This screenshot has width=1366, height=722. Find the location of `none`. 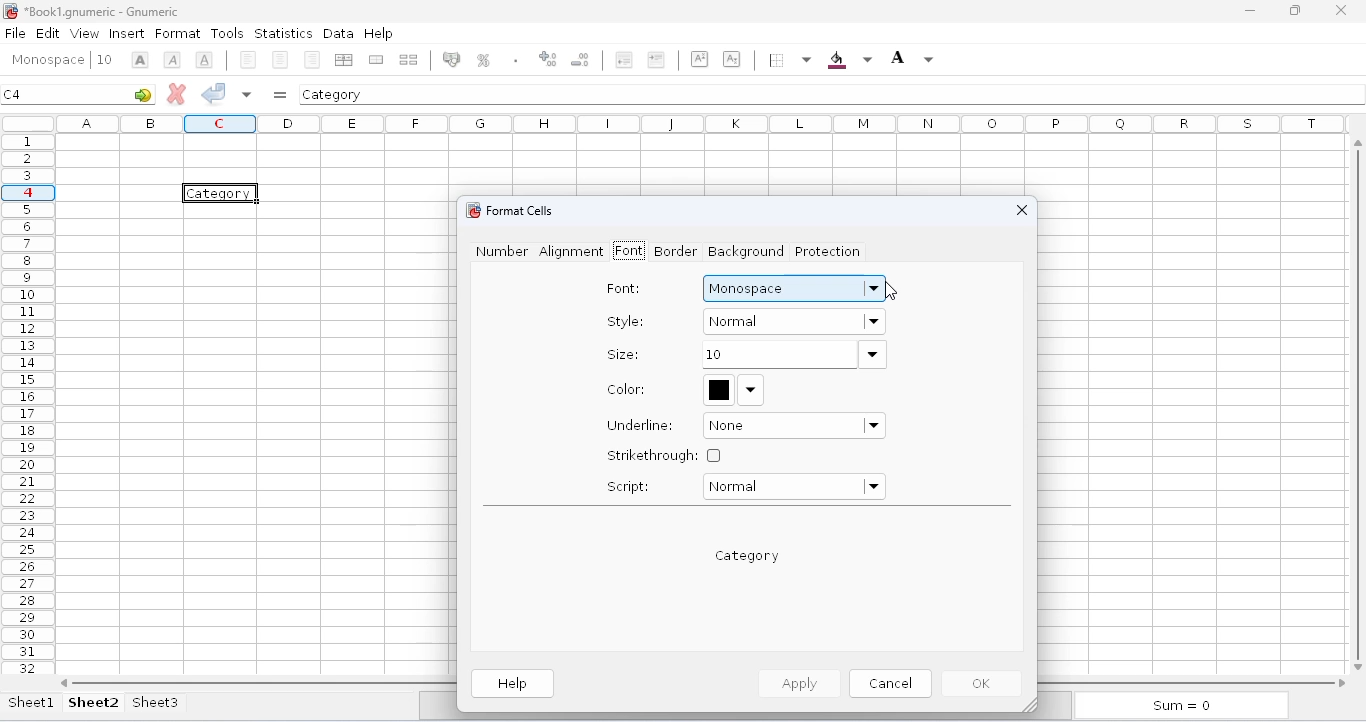

none is located at coordinates (795, 426).